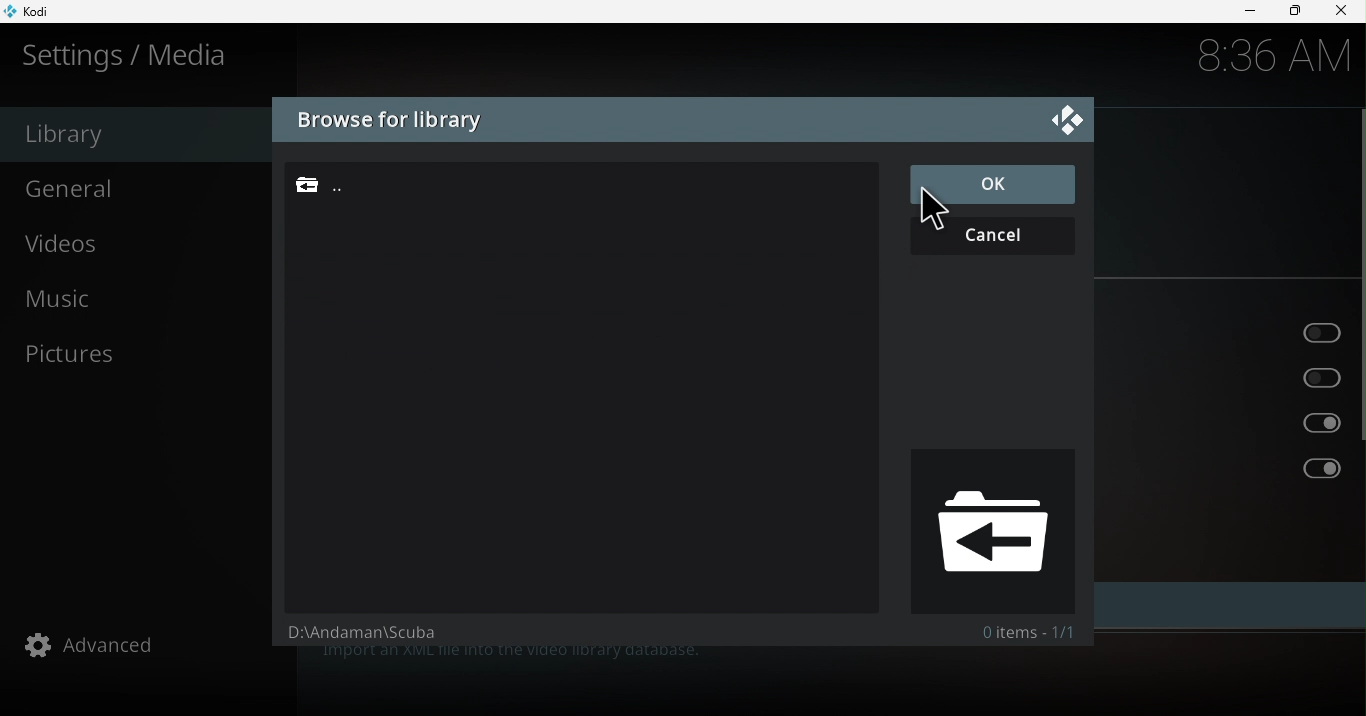 This screenshot has height=716, width=1366. What do you see at coordinates (138, 303) in the screenshot?
I see `Music` at bounding box center [138, 303].